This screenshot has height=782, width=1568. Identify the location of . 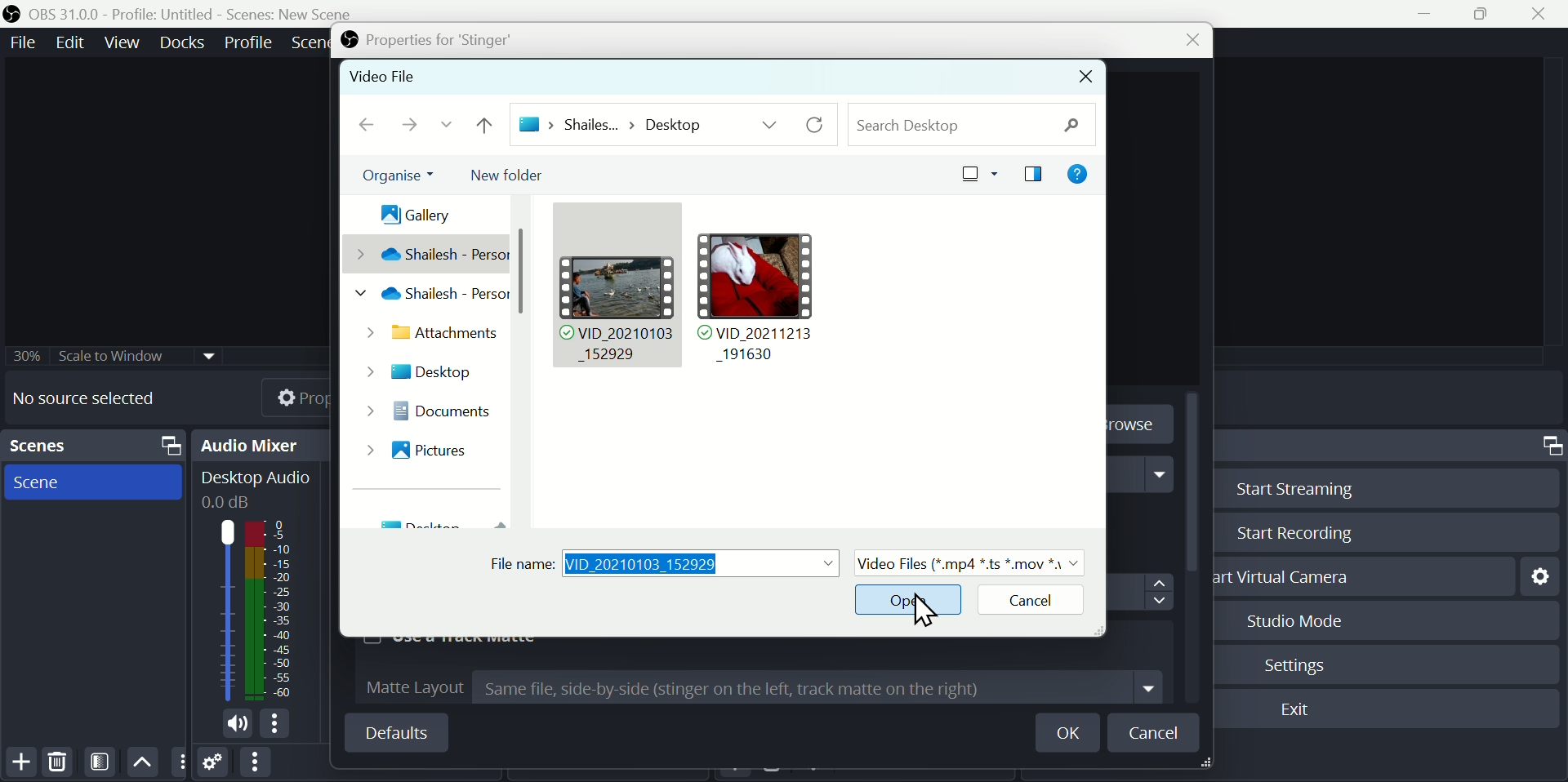
(73, 42).